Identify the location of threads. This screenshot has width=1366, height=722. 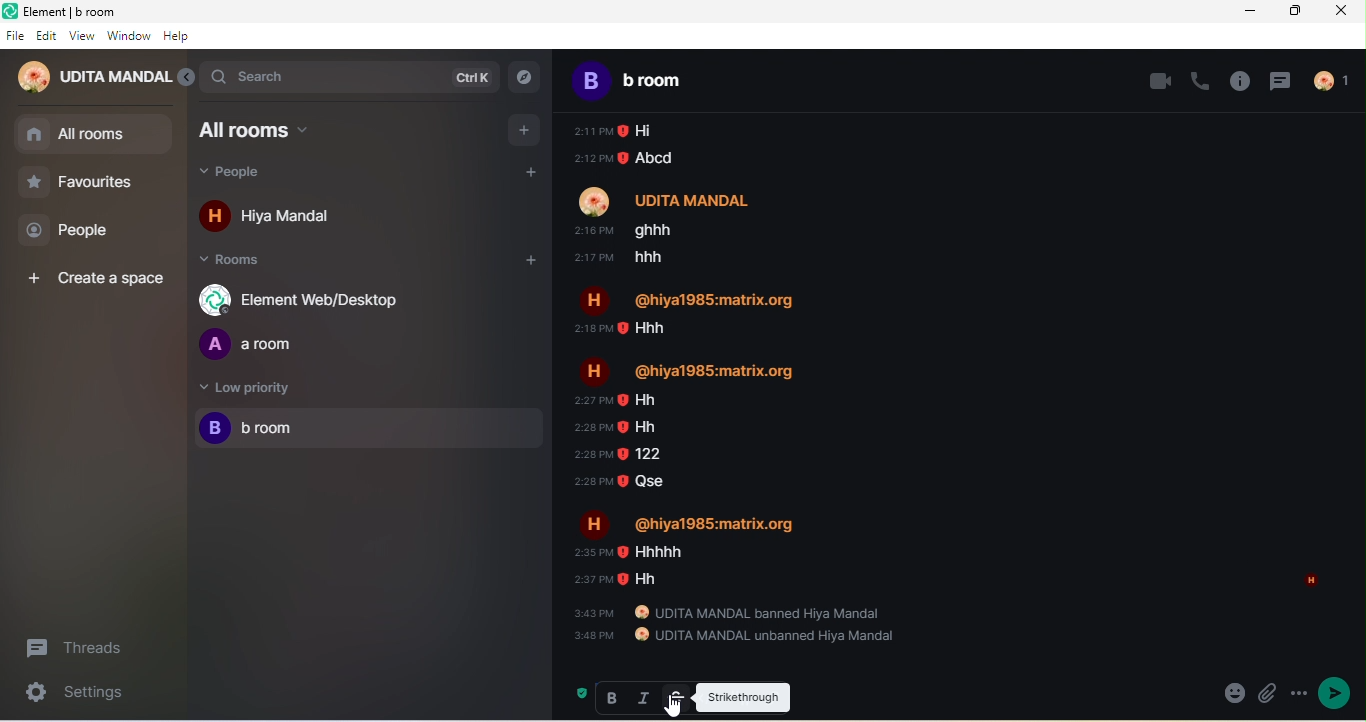
(1280, 80).